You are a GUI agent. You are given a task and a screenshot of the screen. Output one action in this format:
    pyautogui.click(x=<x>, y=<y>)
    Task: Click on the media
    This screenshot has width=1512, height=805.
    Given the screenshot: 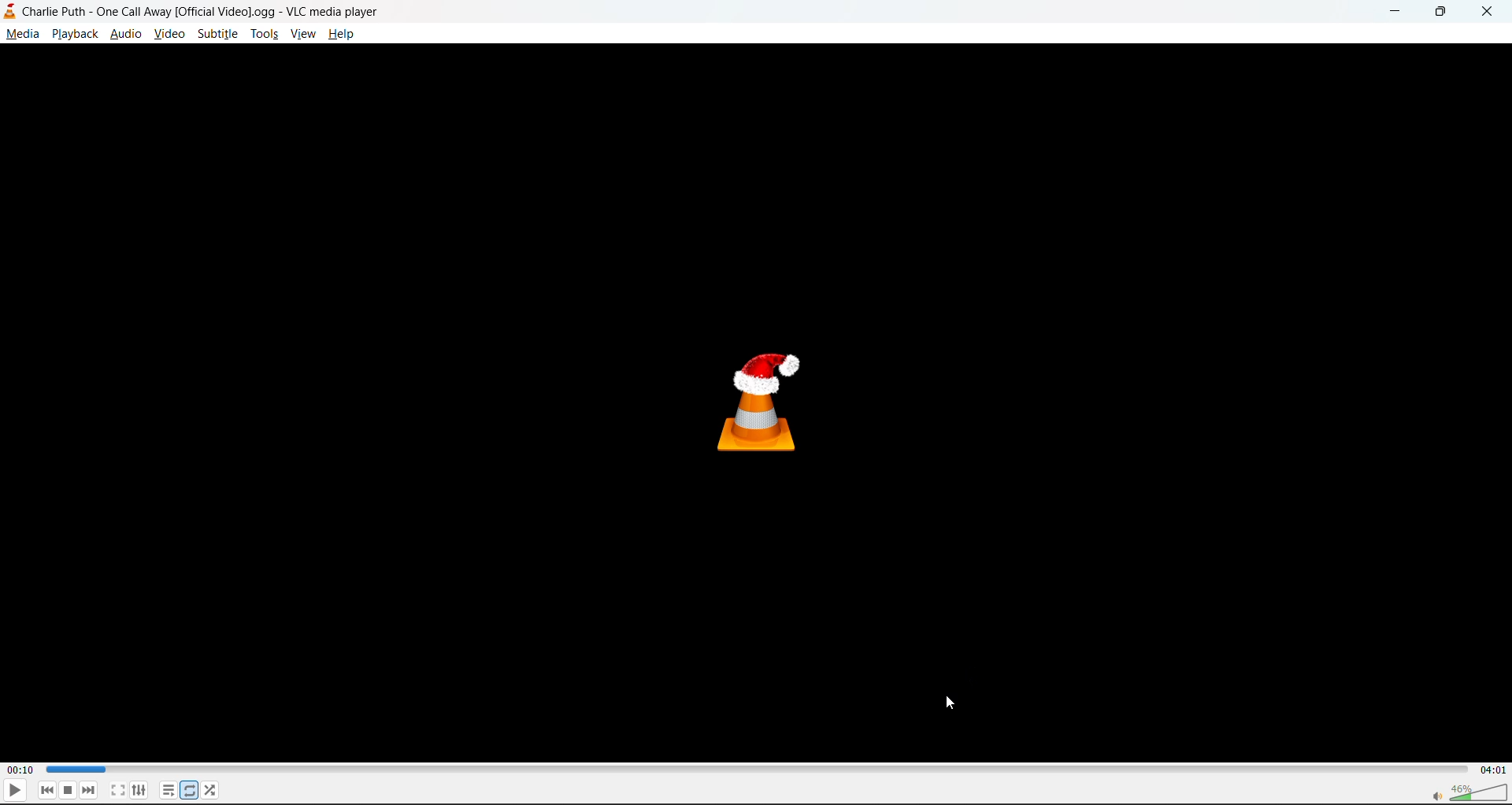 What is the action you would take?
    pyautogui.click(x=20, y=35)
    